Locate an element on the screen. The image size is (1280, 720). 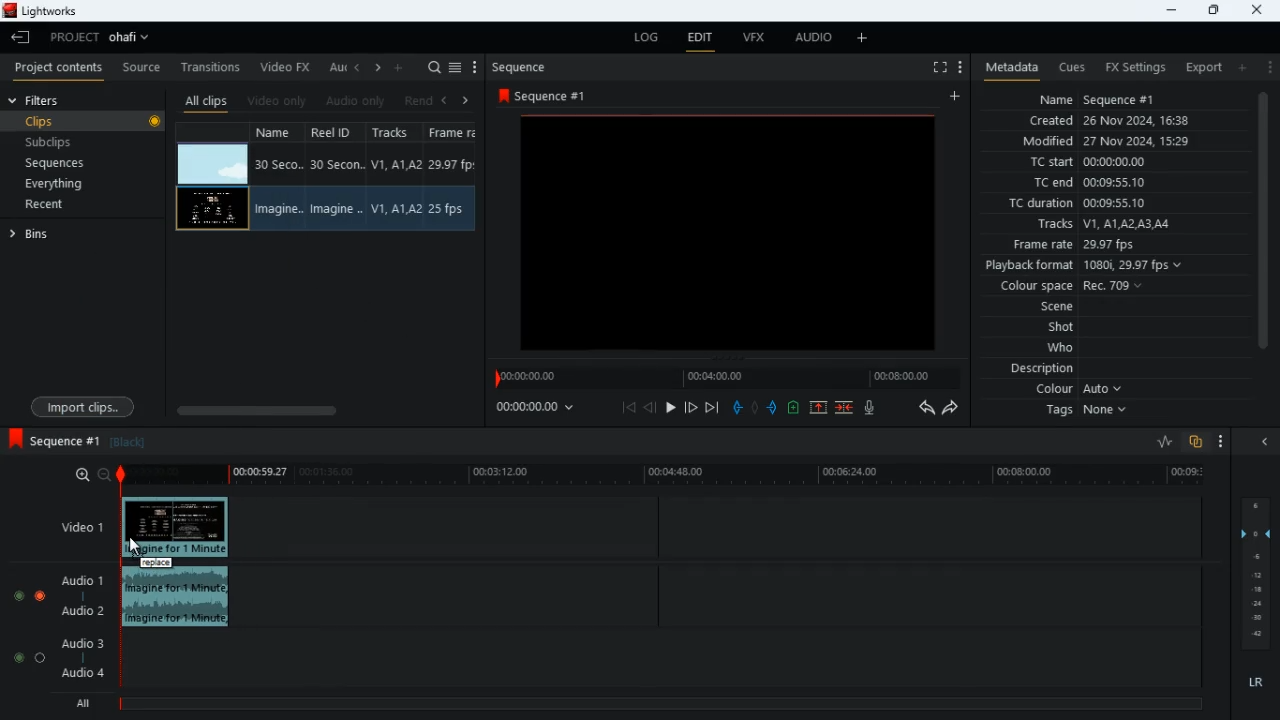
audio only is located at coordinates (357, 101).